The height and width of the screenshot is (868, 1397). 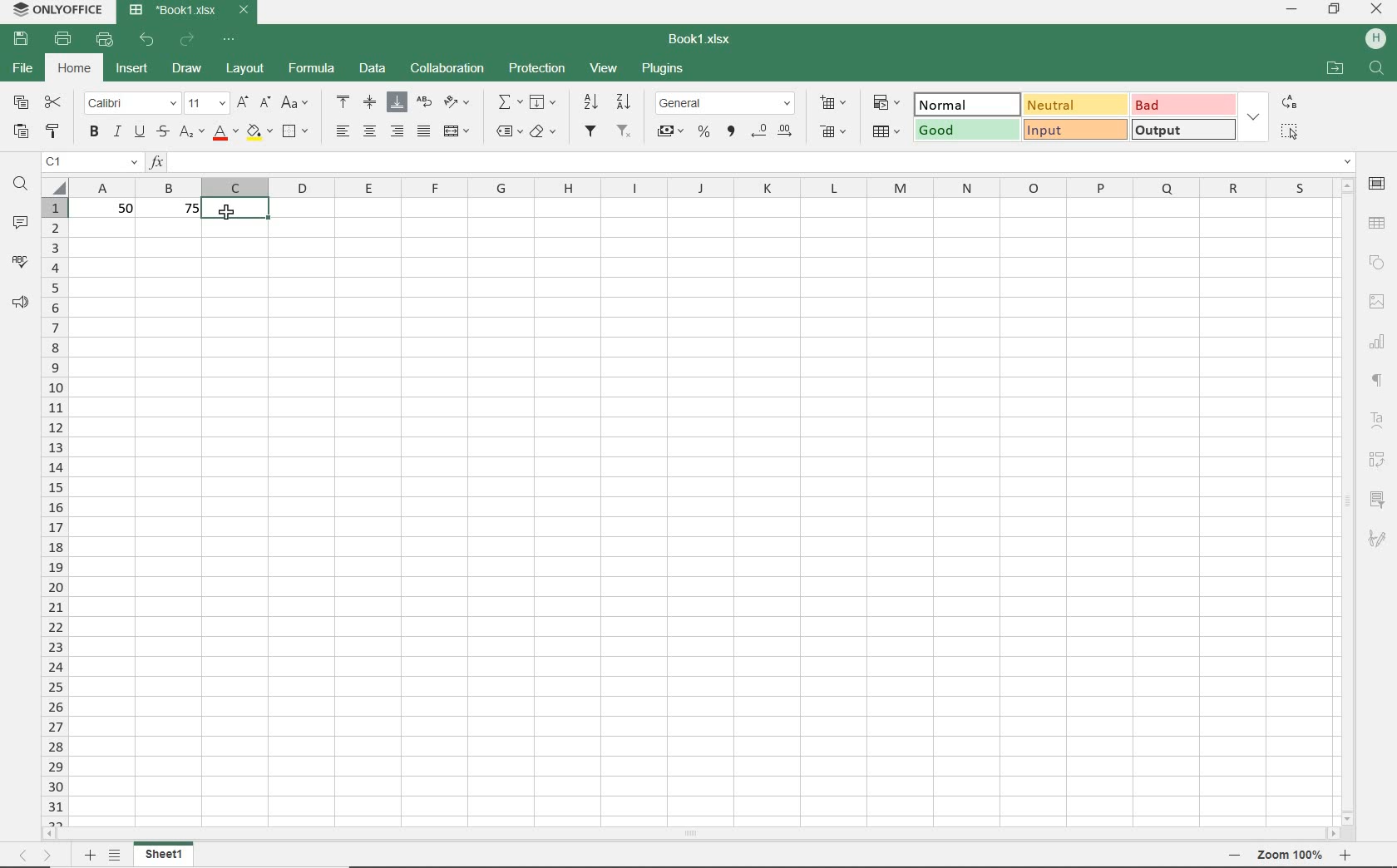 What do you see at coordinates (1287, 856) in the screenshot?
I see `zoom` at bounding box center [1287, 856].